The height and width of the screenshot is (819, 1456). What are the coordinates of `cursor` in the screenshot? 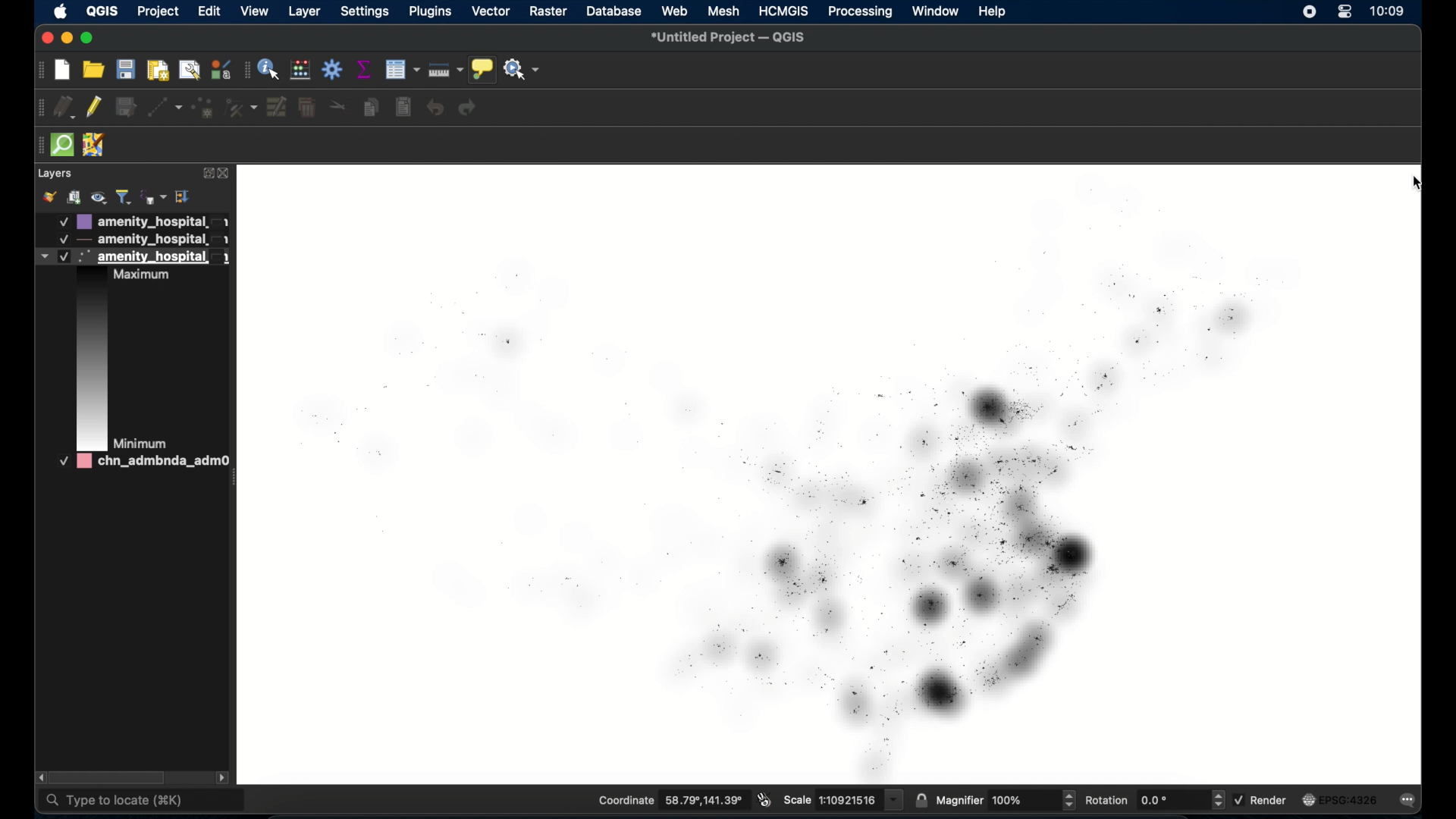 It's located at (1419, 184).